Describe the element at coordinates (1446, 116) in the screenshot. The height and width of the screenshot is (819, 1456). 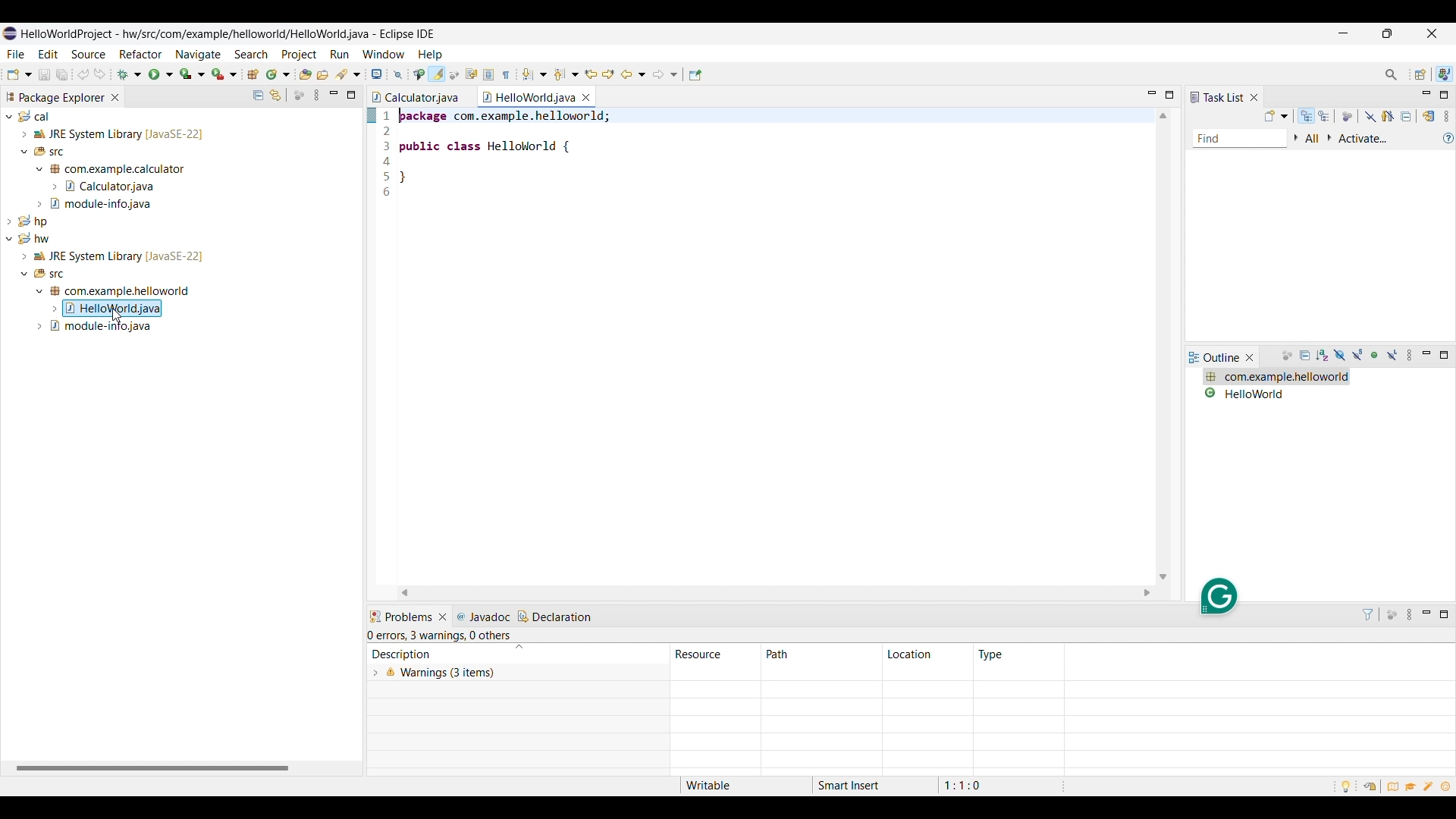
I see `View menu` at that location.